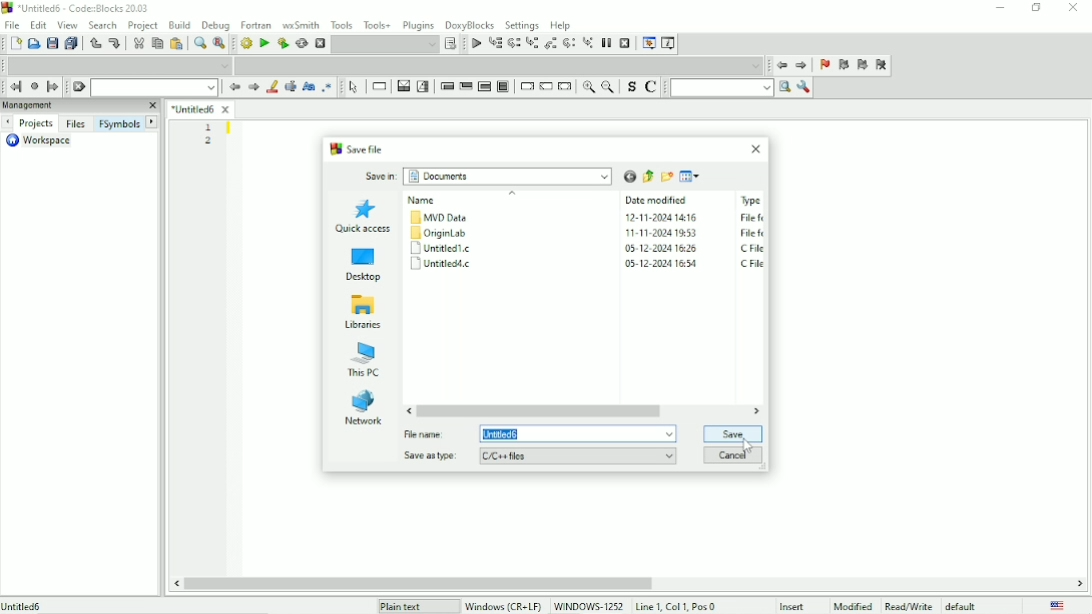  What do you see at coordinates (15, 44) in the screenshot?
I see `New file` at bounding box center [15, 44].